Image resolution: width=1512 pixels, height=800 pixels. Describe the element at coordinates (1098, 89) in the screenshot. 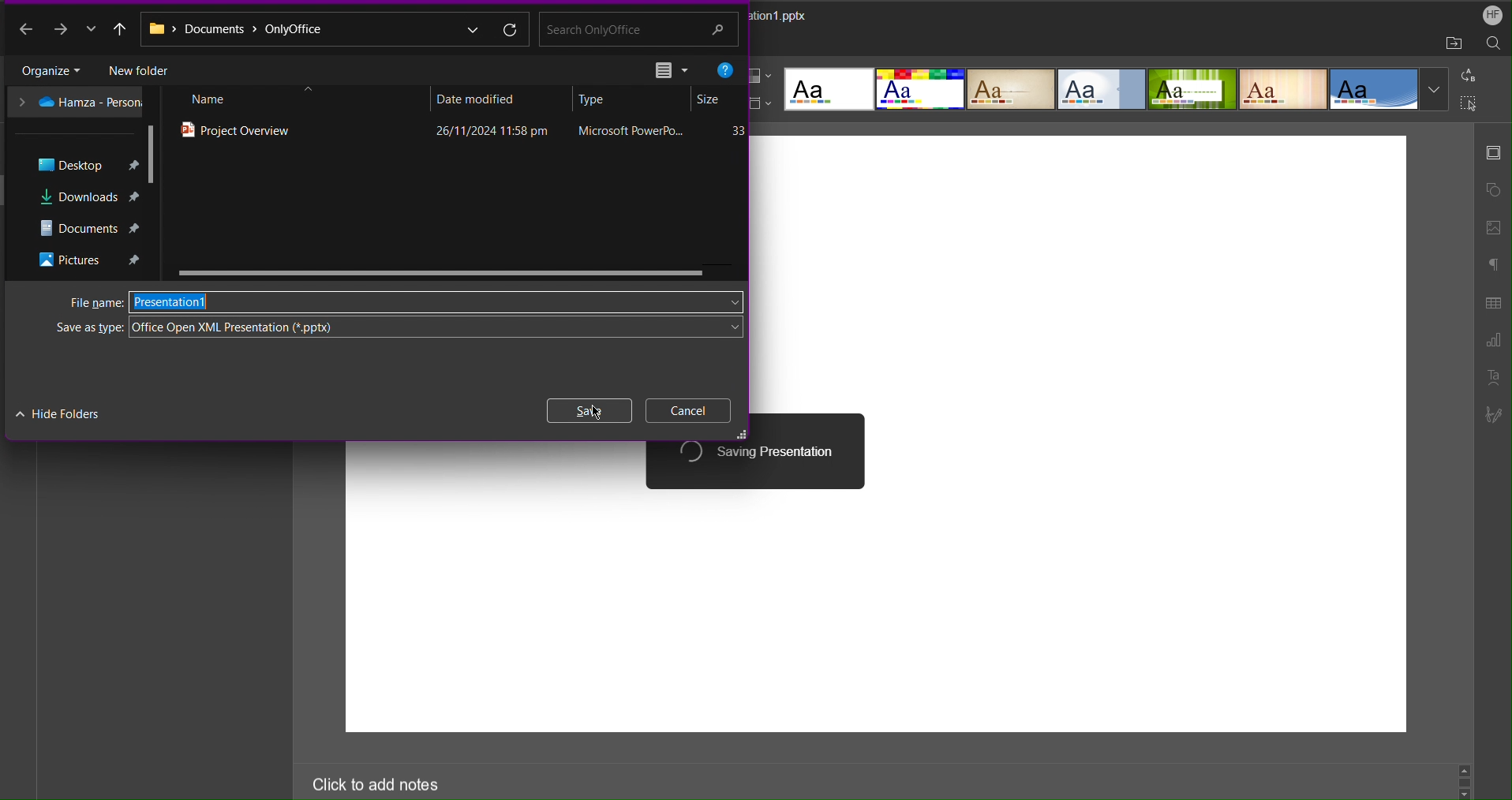

I see `Templates` at that location.